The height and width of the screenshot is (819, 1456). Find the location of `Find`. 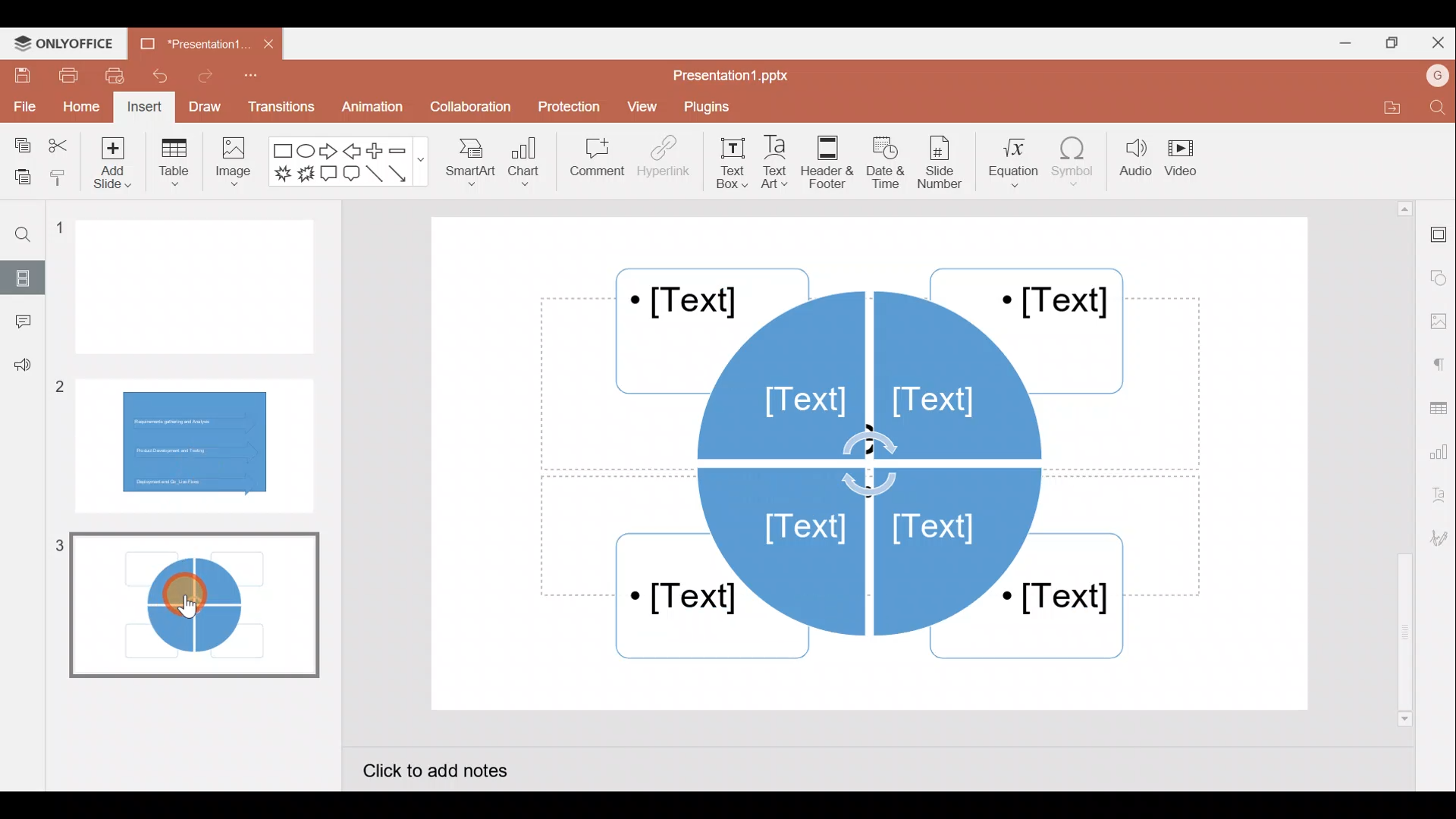

Find is located at coordinates (1435, 108).